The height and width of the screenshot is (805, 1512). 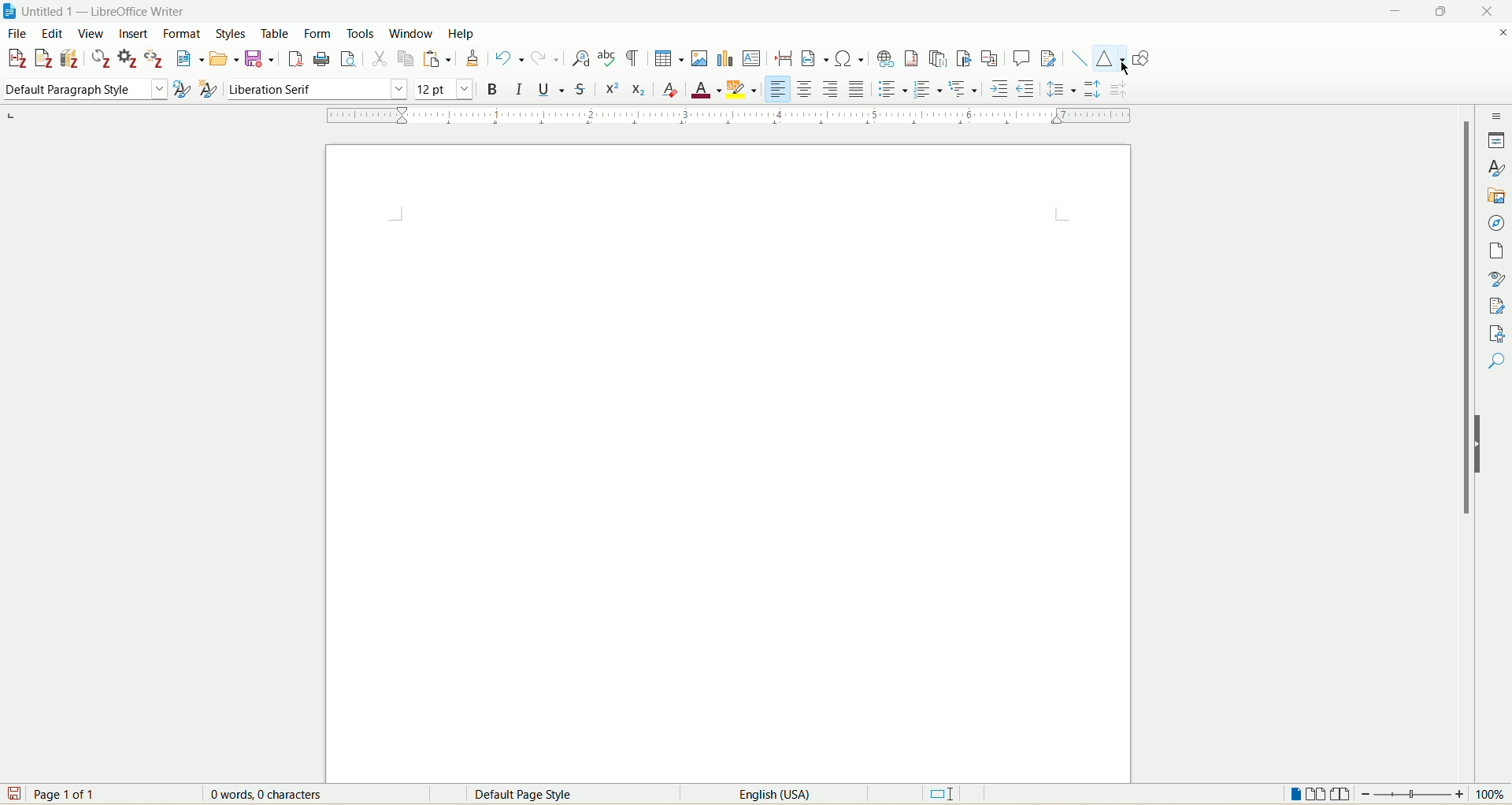 I want to click on update style from selection, so click(x=181, y=88).